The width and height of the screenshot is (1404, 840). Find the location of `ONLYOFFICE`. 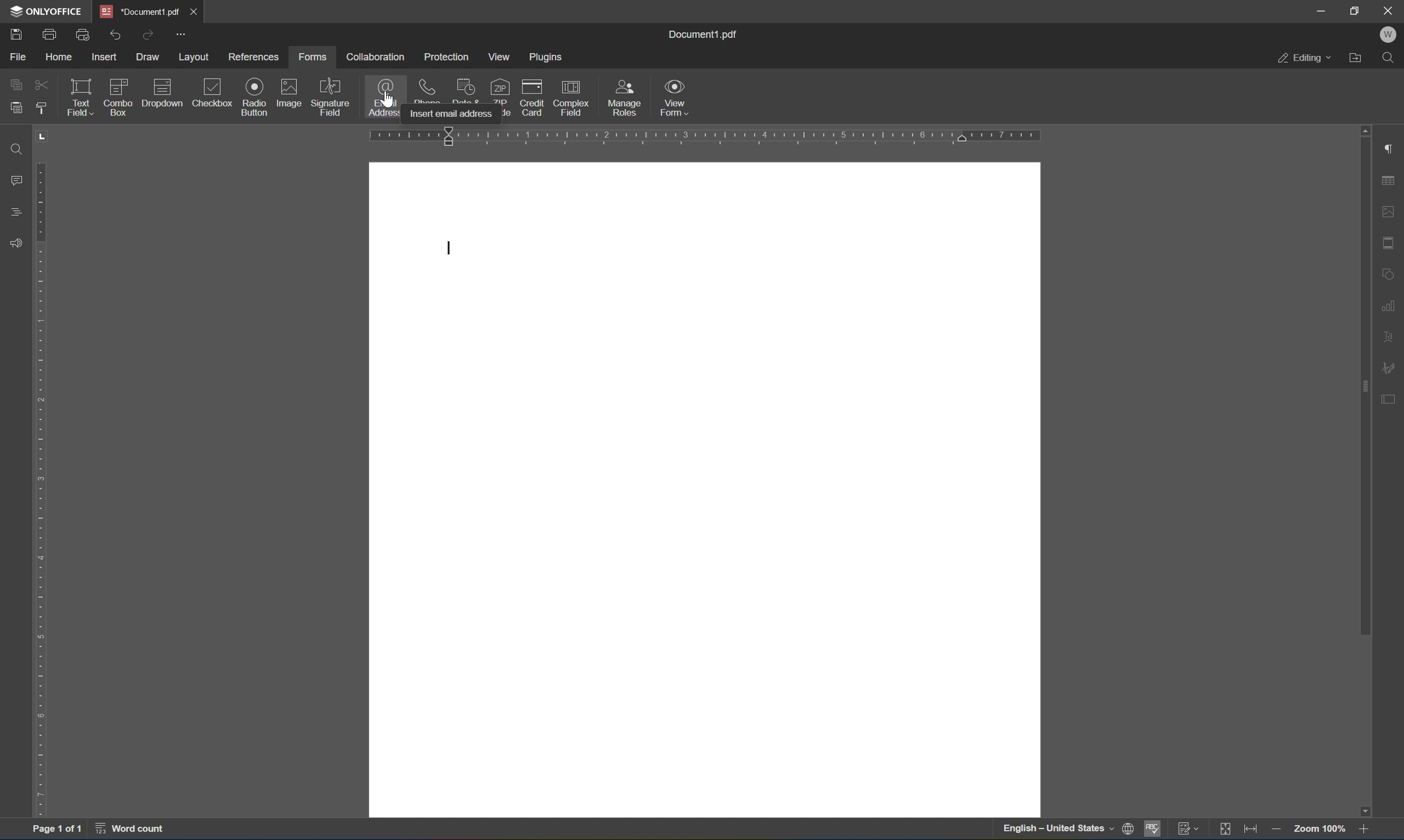

ONLYOFFICE is located at coordinates (43, 10).